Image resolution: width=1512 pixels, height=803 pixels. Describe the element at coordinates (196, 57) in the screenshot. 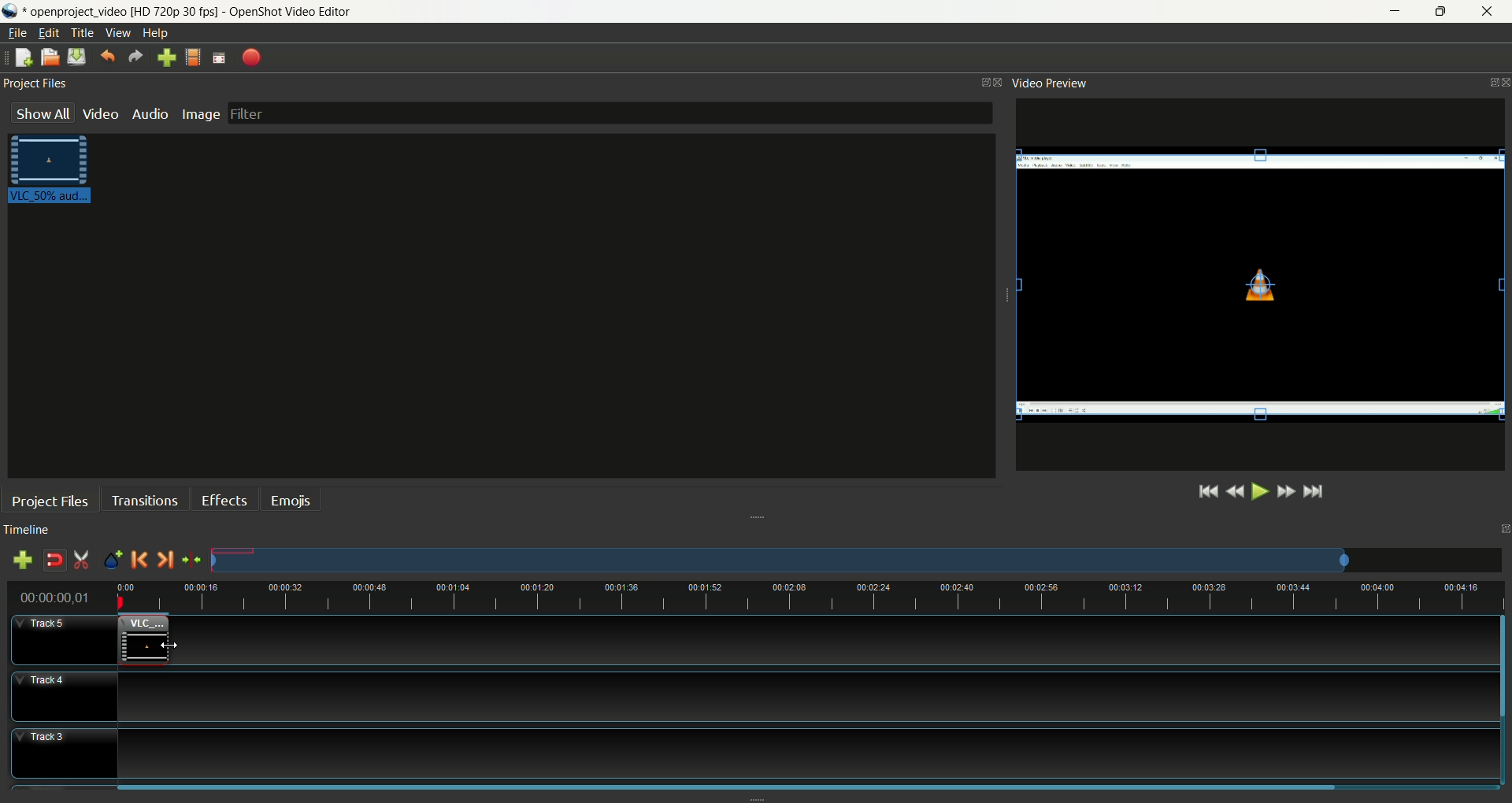

I see `choose profile` at that location.